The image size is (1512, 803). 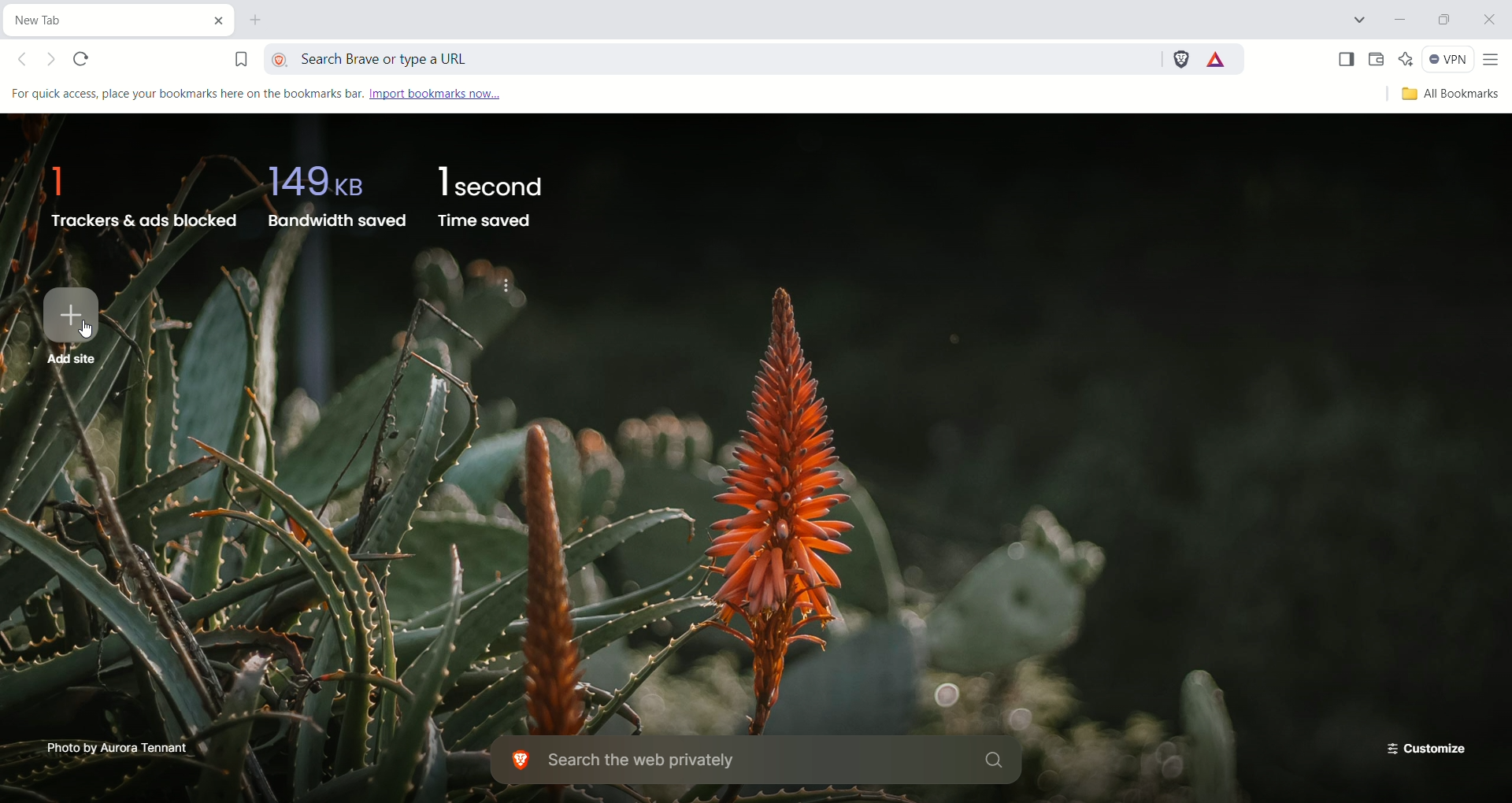 What do you see at coordinates (1492, 22) in the screenshot?
I see `close` at bounding box center [1492, 22].